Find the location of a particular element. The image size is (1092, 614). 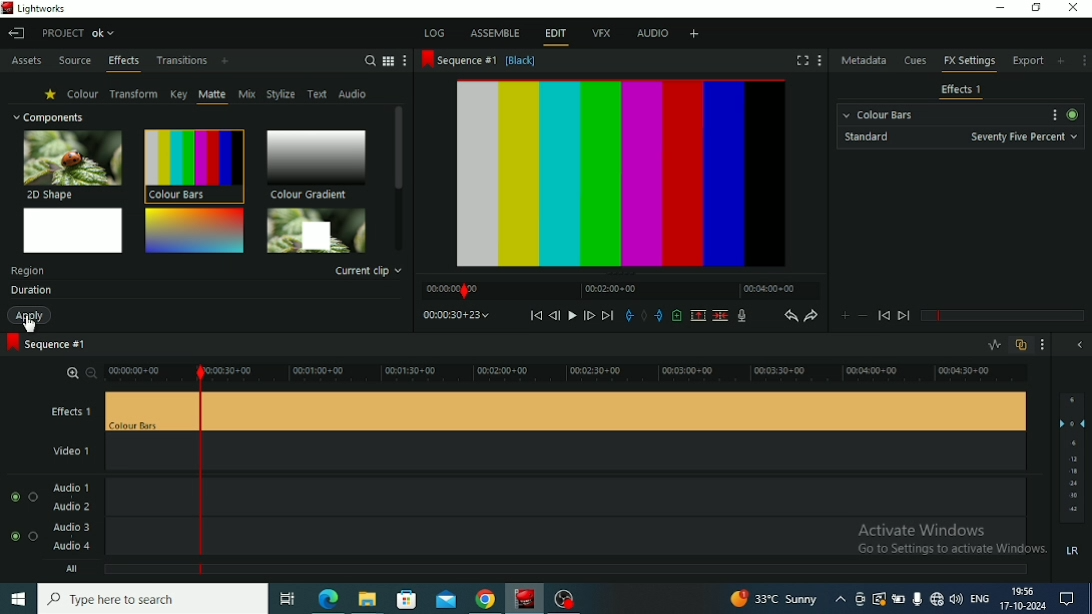

Show settings menu is located at coordinates (1052, 115).